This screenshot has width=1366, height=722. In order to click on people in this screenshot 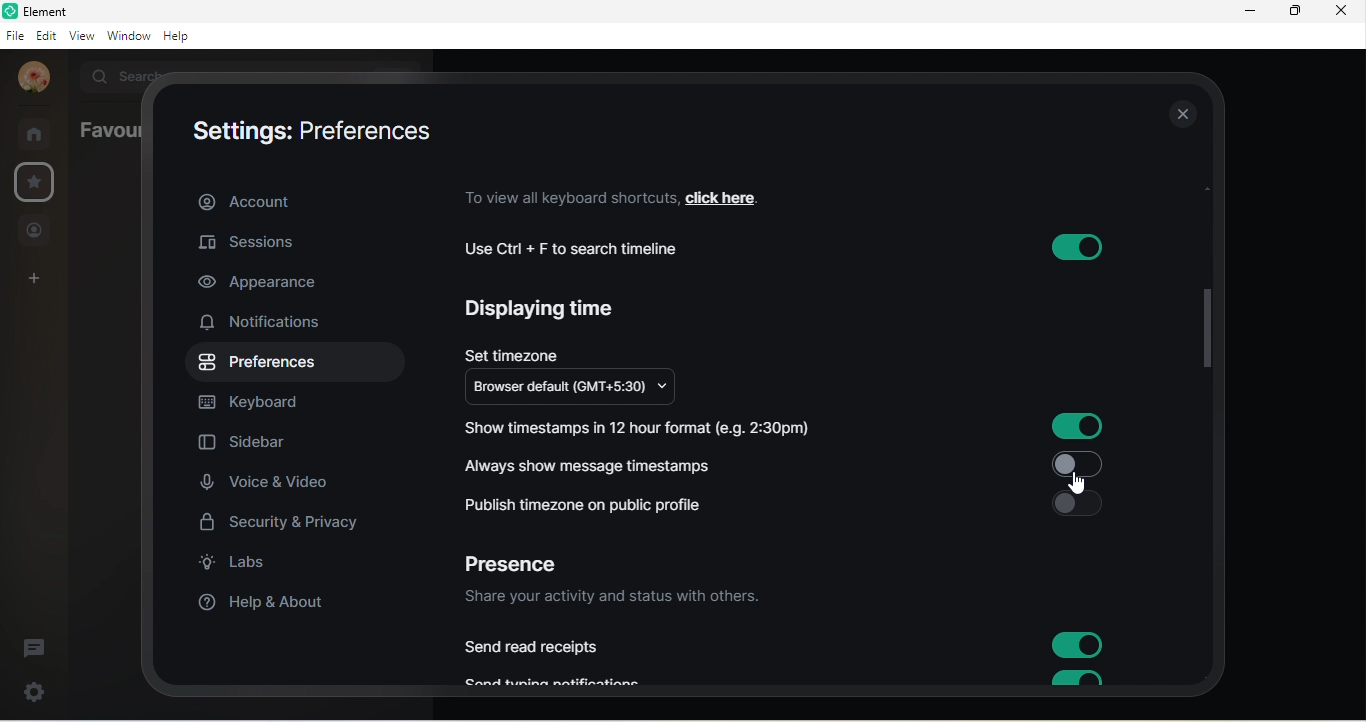, I will do `click(37, 230)`.